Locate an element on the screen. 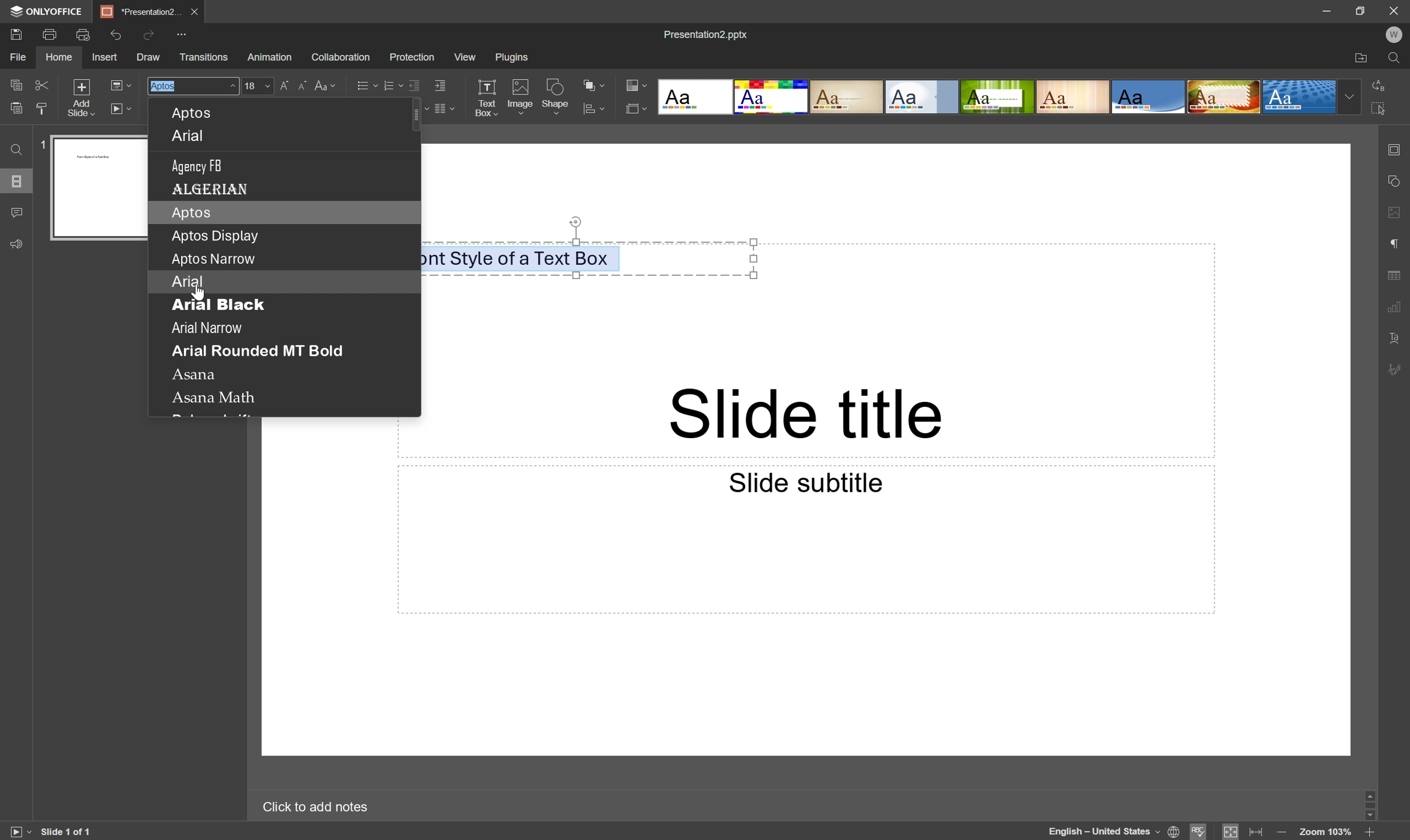 The width and height of the screenshot is (1410, 840). Close is located at coordinates (196, 11).